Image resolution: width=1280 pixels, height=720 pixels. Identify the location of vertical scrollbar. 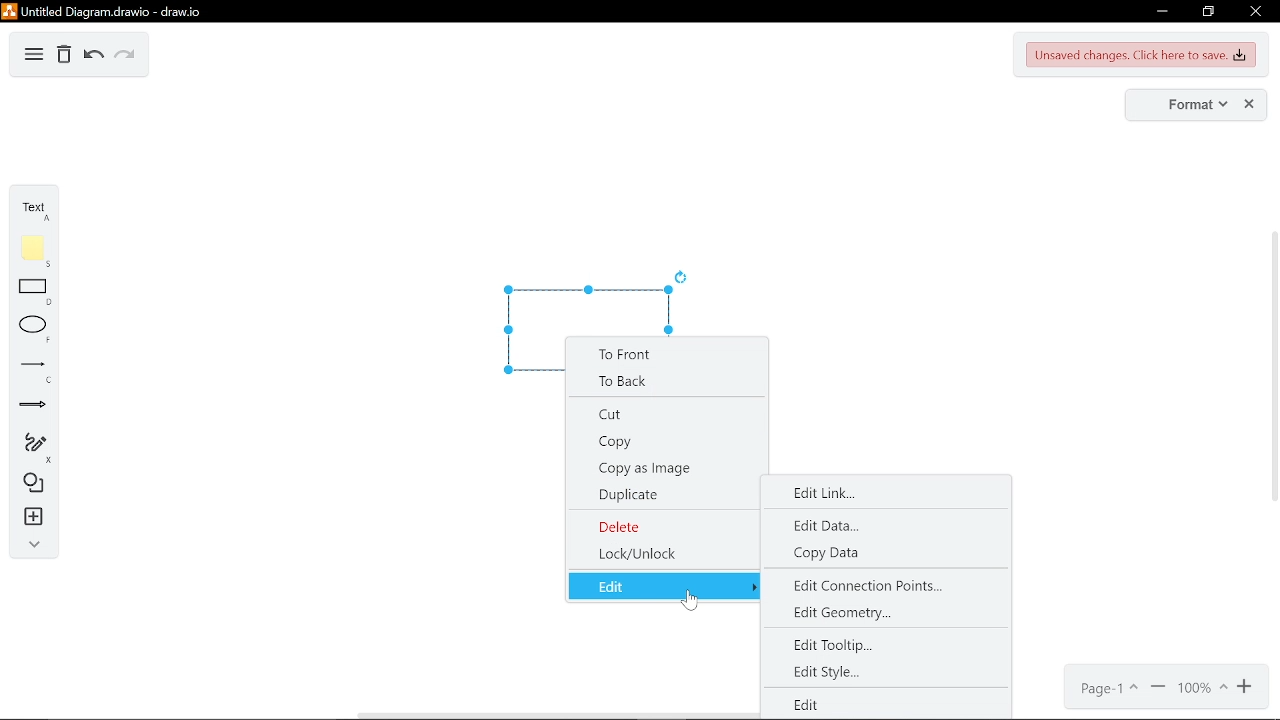
(1272, 371).